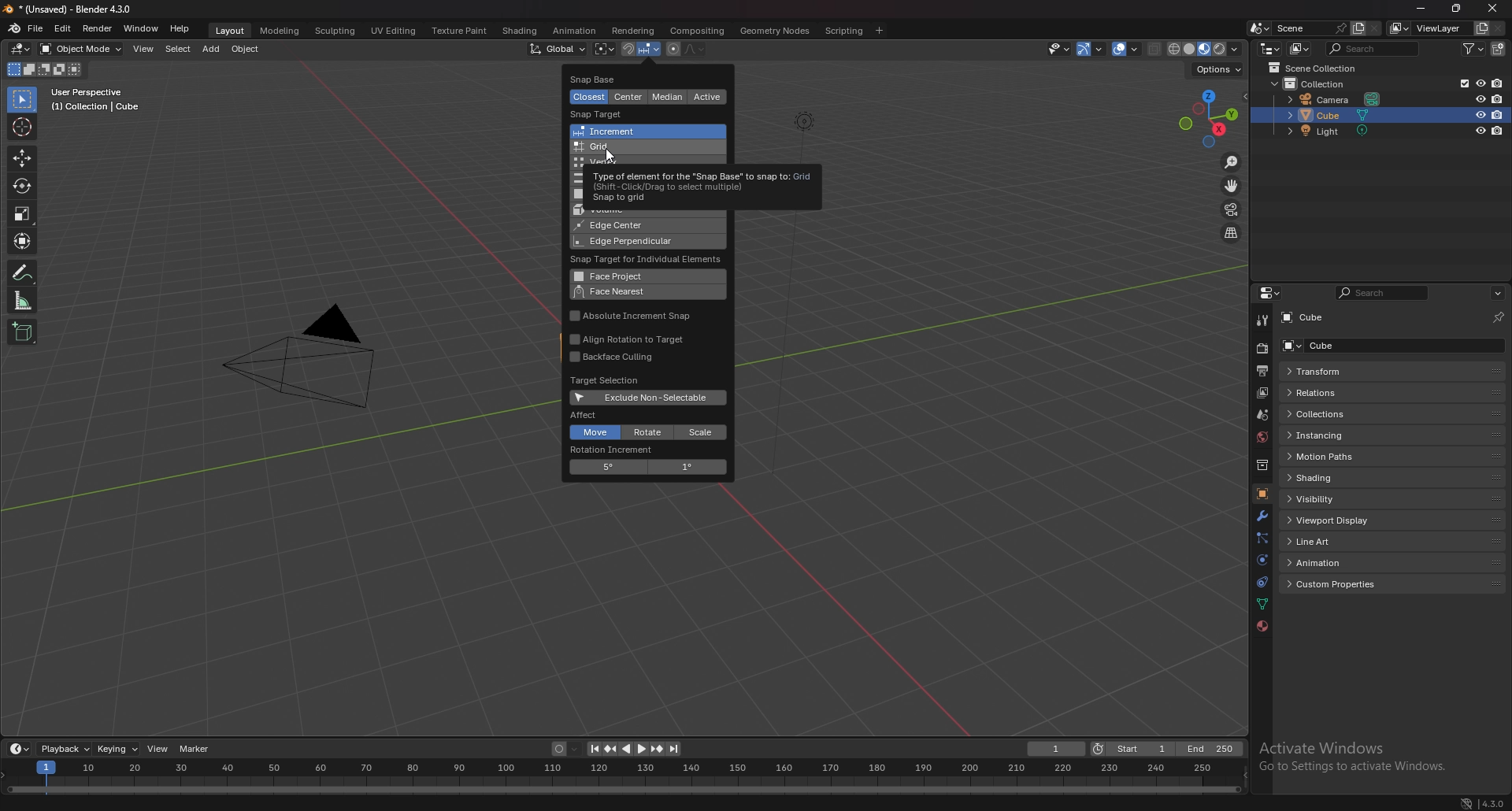 The width and height of the screenshot is (1512, 811). What do you see at coordinates (459, 30) in the screenshot?
I see `texture paint` at bounding box center [459, 30].